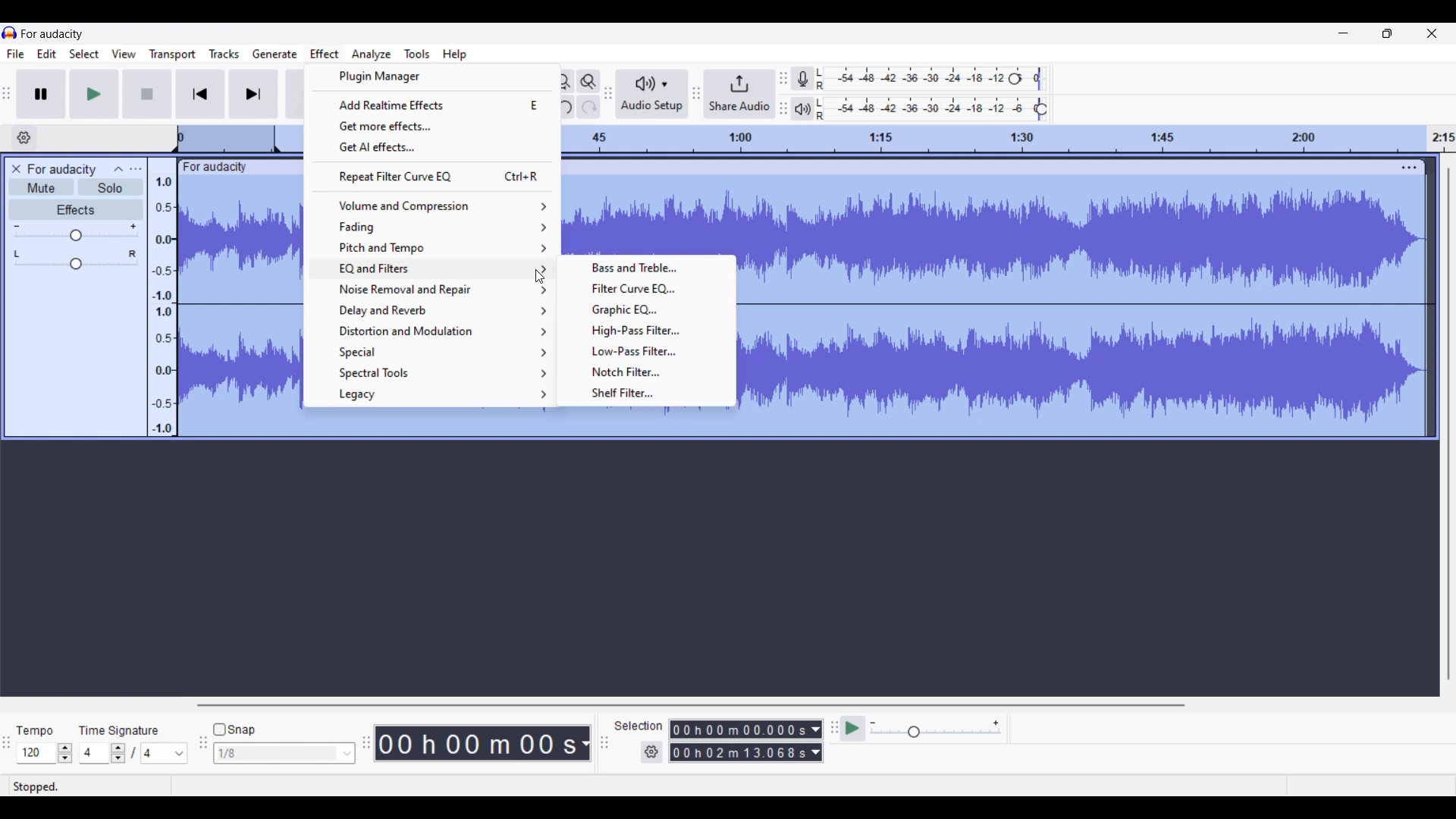 The width and height of the screenshot is (1456, 819). Describe the element at coordinates (96, 754) in the screenshot. I see `Type in time signature` at that location.